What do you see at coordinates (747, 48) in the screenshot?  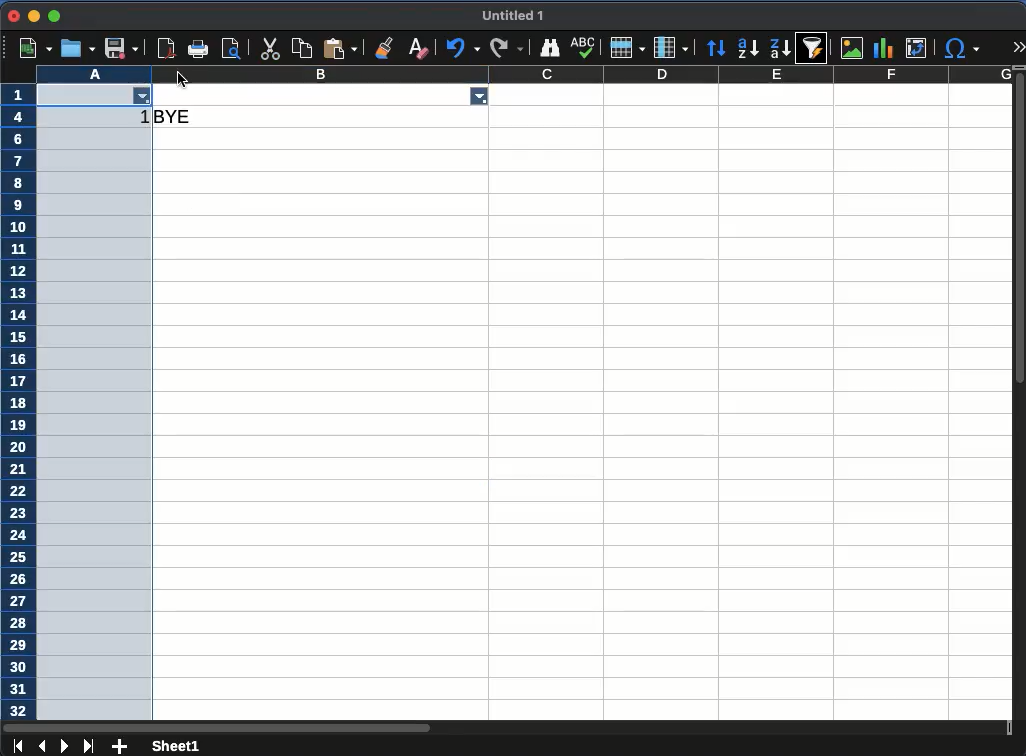 I see `ascending` at bounding box center [747, 48].